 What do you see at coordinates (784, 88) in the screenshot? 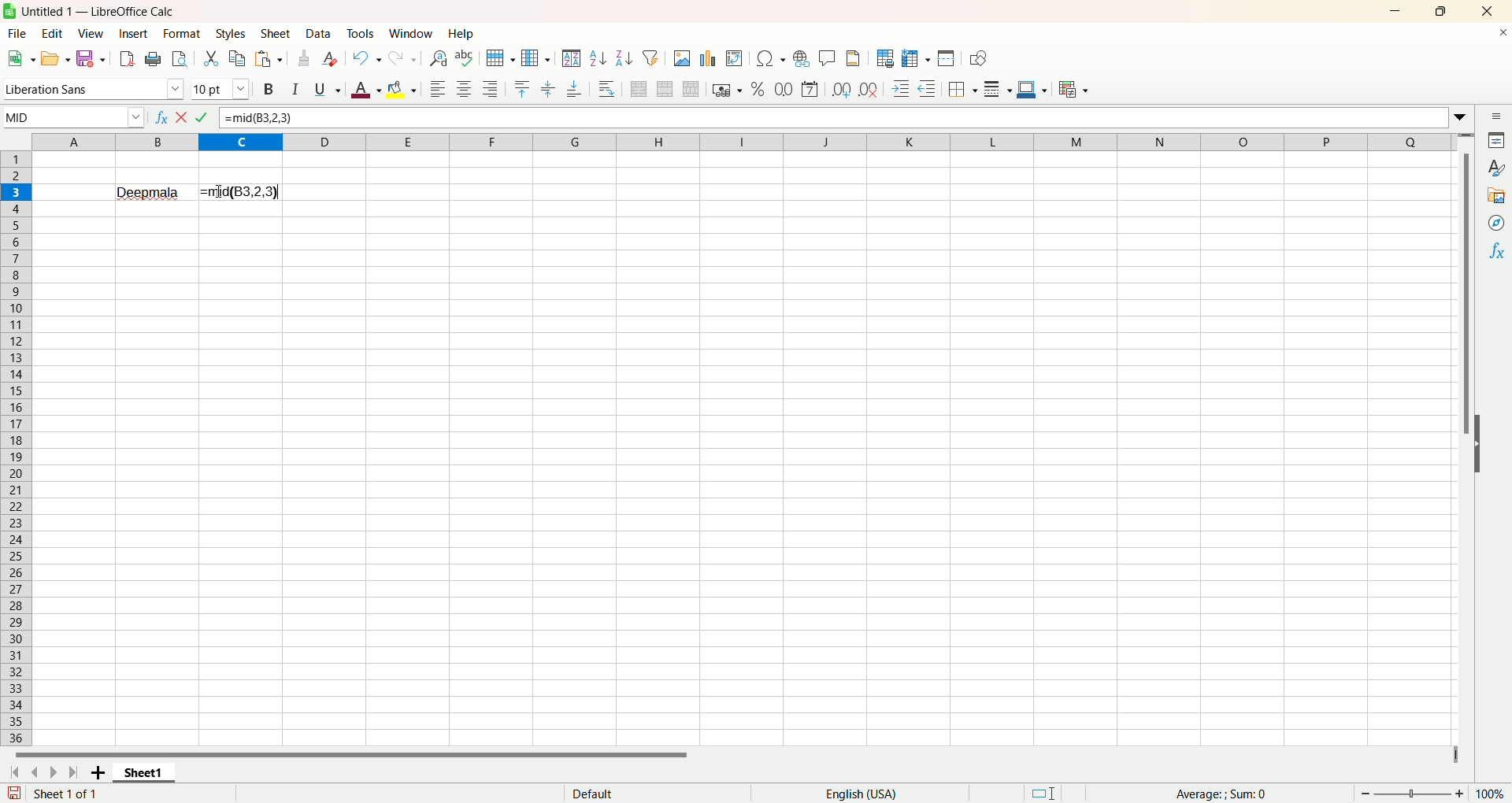
I see `Format as number` at bounding box center [784, 88].